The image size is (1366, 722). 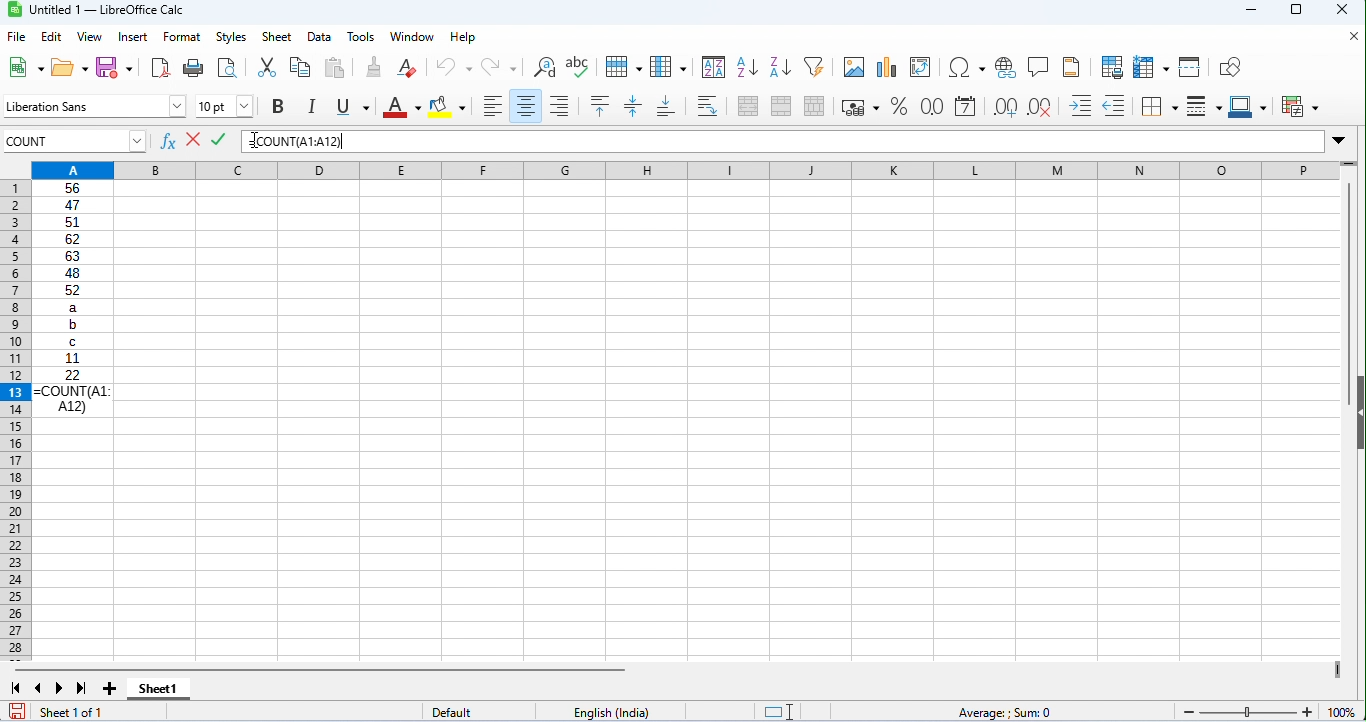 I want to click on previous sheet, so click(x=41, y=688).